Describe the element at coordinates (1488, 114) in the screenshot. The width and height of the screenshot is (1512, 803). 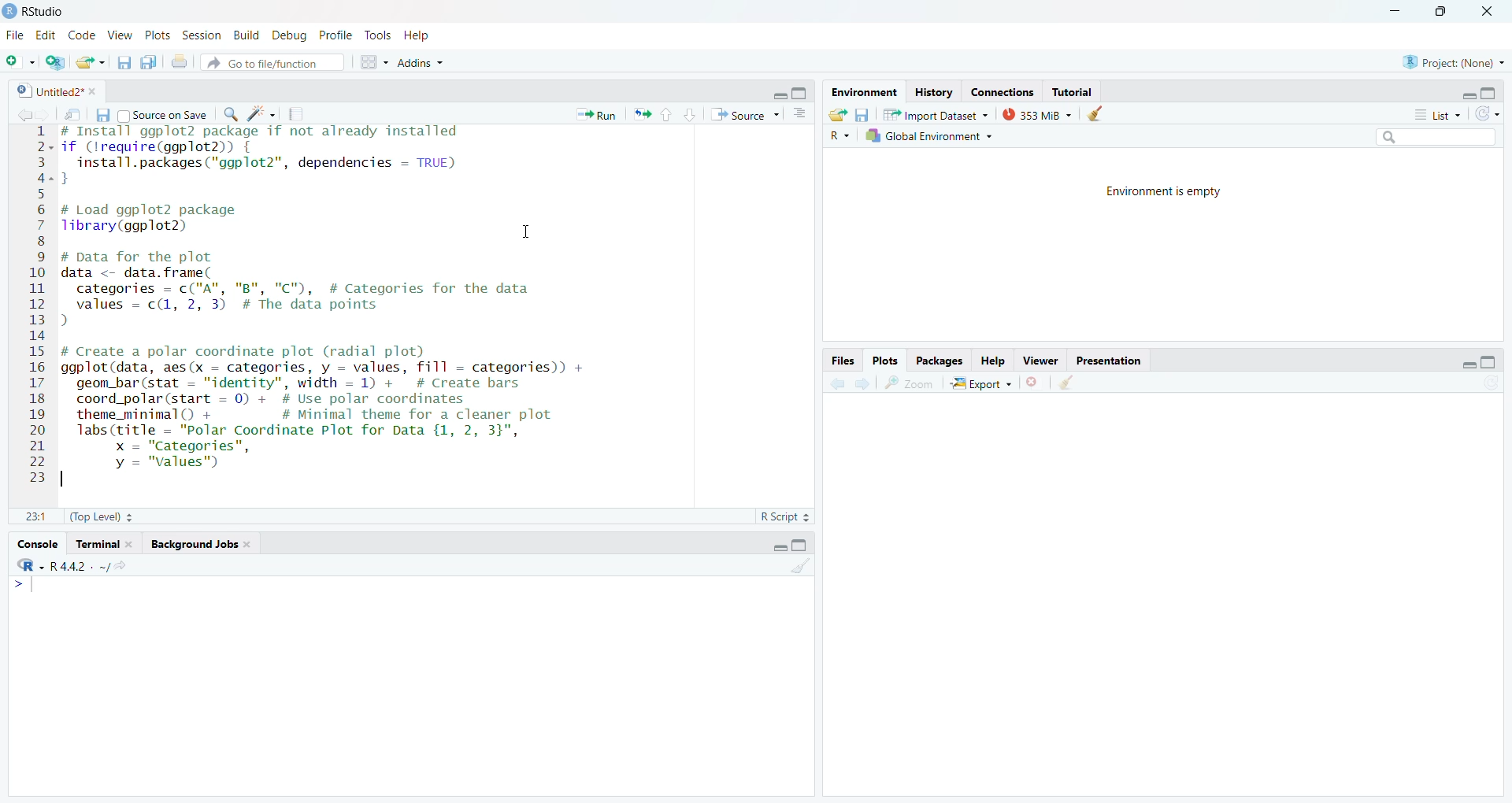
I see `refresh` at that location.